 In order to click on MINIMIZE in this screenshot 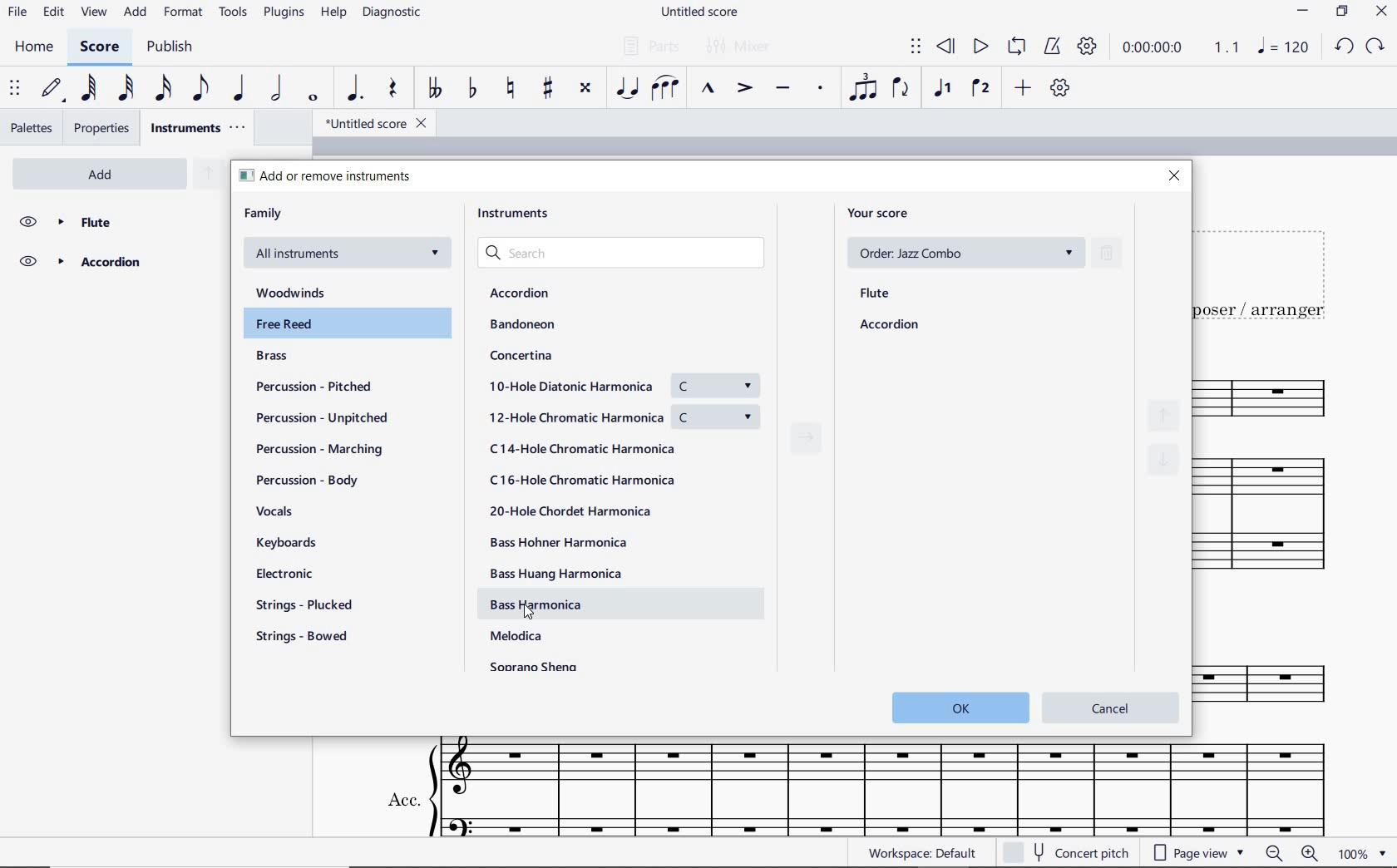, I will do `click(1305, 11)`.